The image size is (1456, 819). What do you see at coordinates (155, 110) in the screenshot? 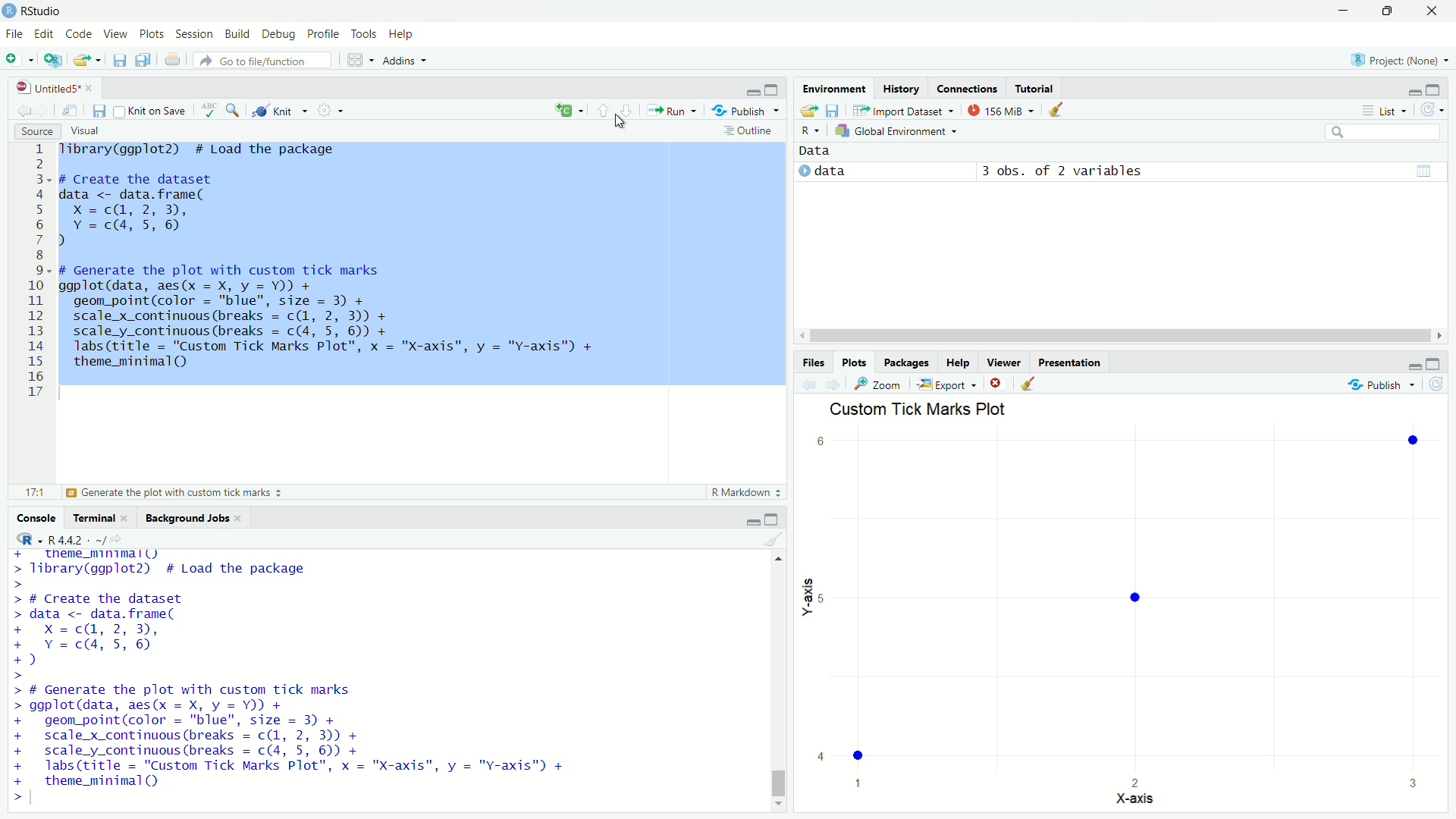
I see `knit on save` at bounding box center [155, 110].